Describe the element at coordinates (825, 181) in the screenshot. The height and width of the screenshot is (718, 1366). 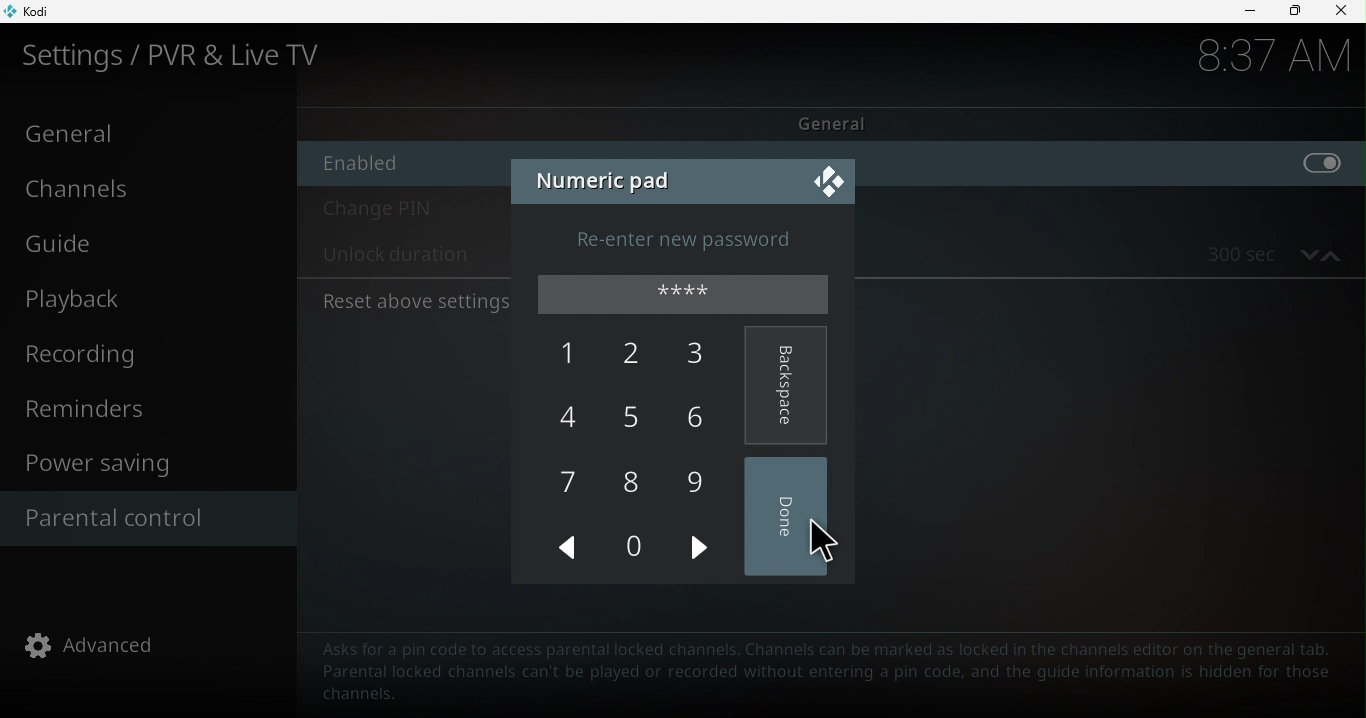
I see `Close` at that location.